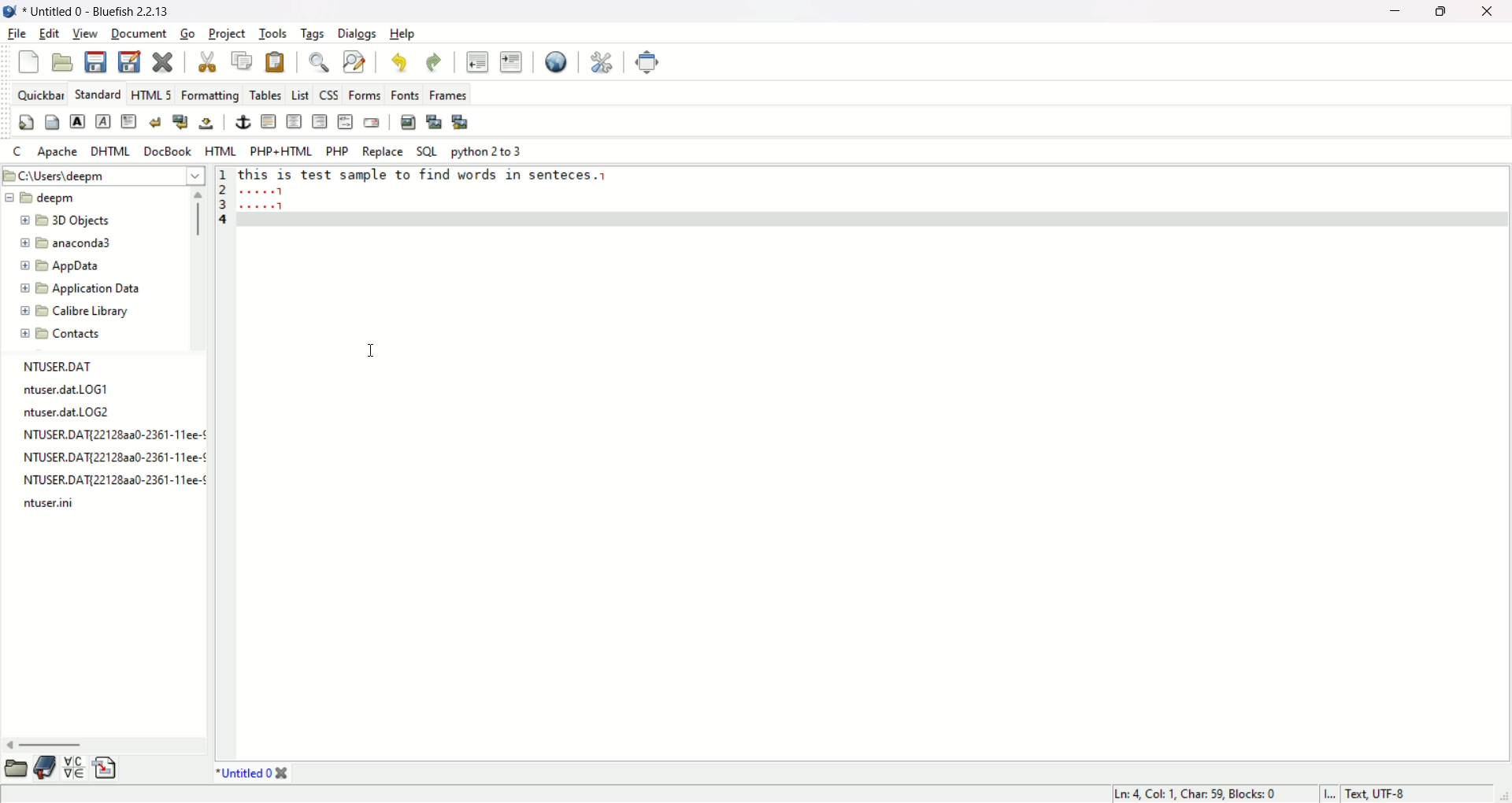  What do you see at coordinates (97, 221) in the screenshot?
I see `3D Objects` at bounding box center [97, 221].